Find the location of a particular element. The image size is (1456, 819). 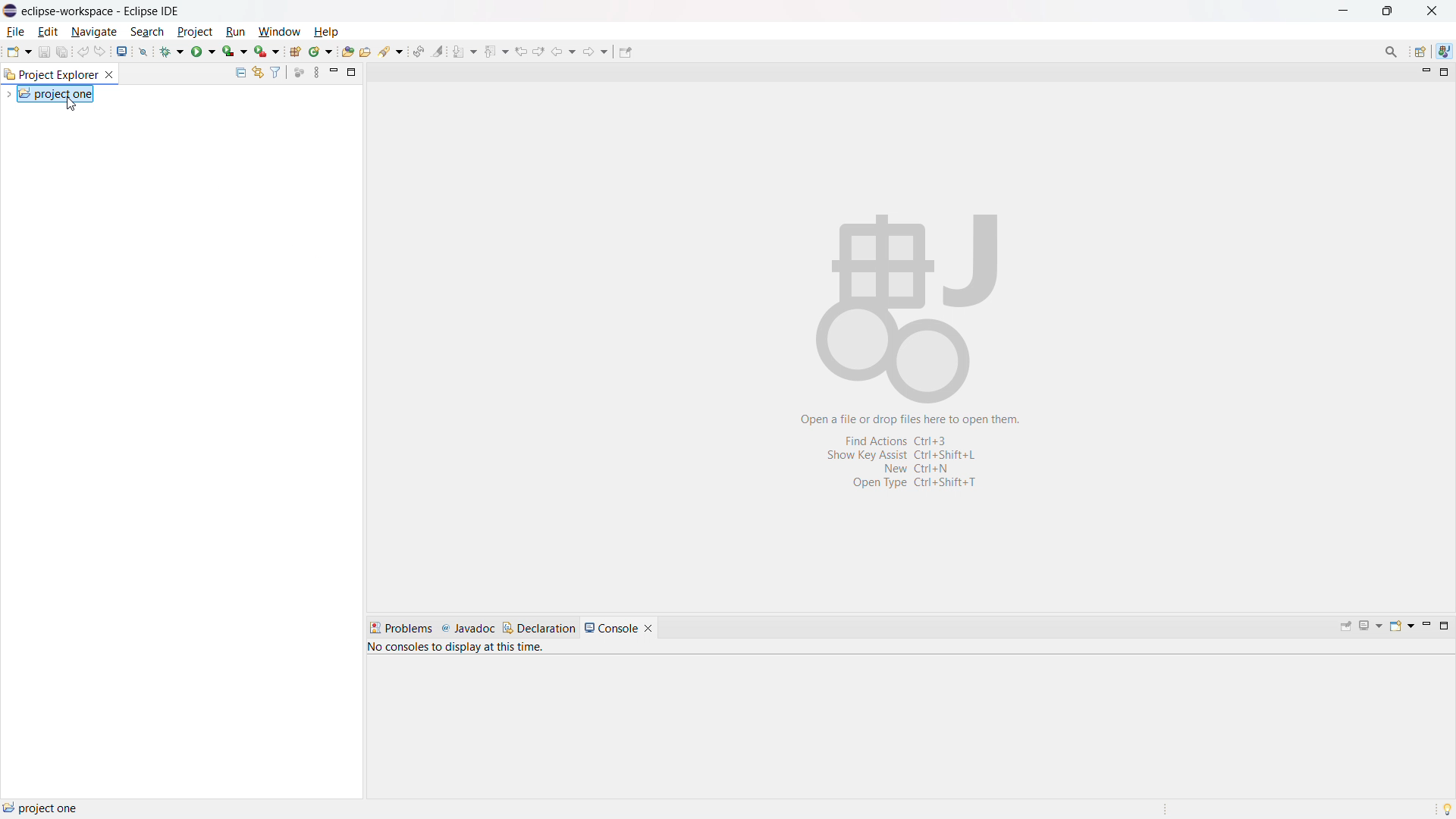

java is located at coordinates (1444, 52).